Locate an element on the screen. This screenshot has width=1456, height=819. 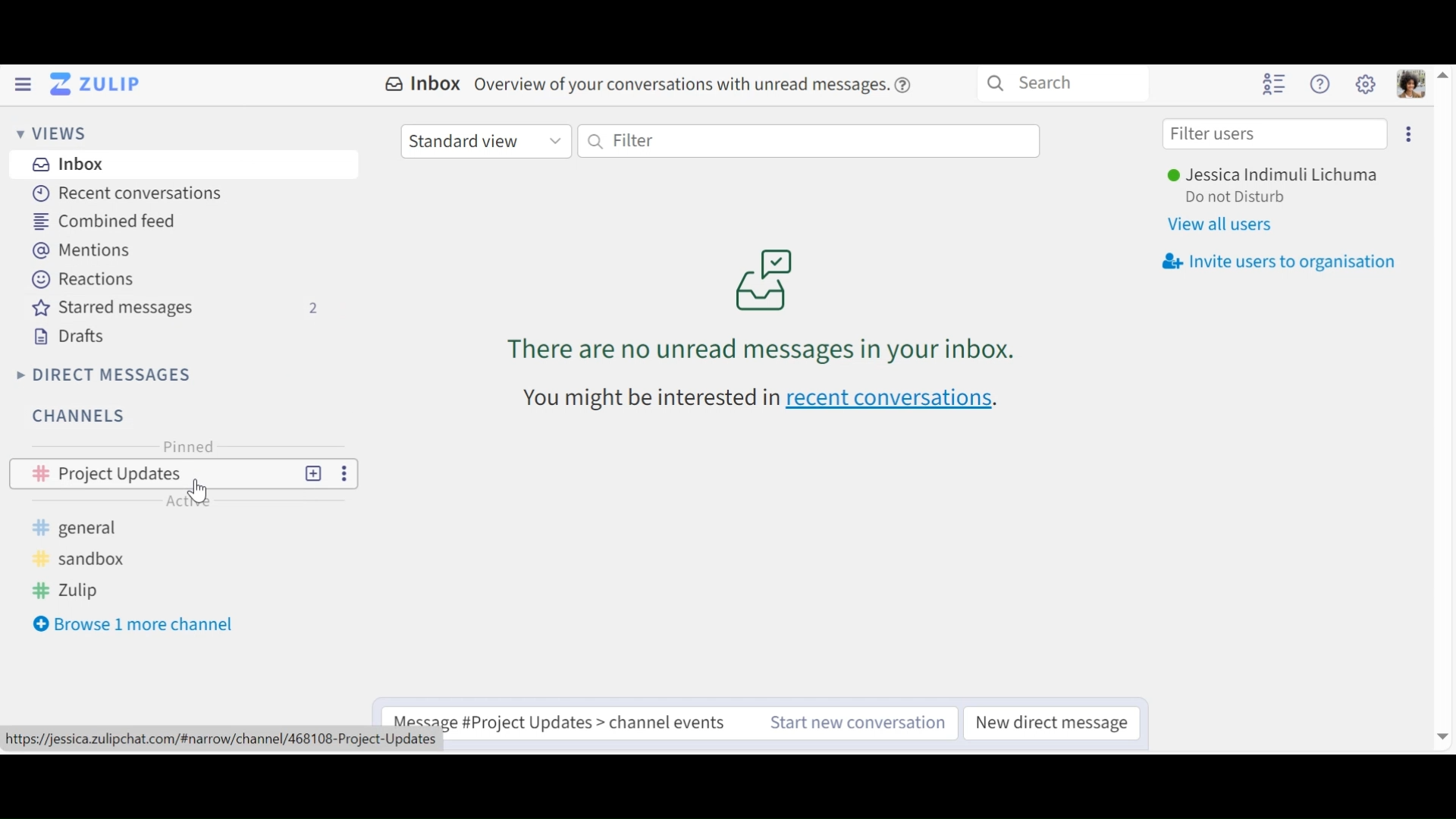
Inbox is located at coordinates (65, 166).